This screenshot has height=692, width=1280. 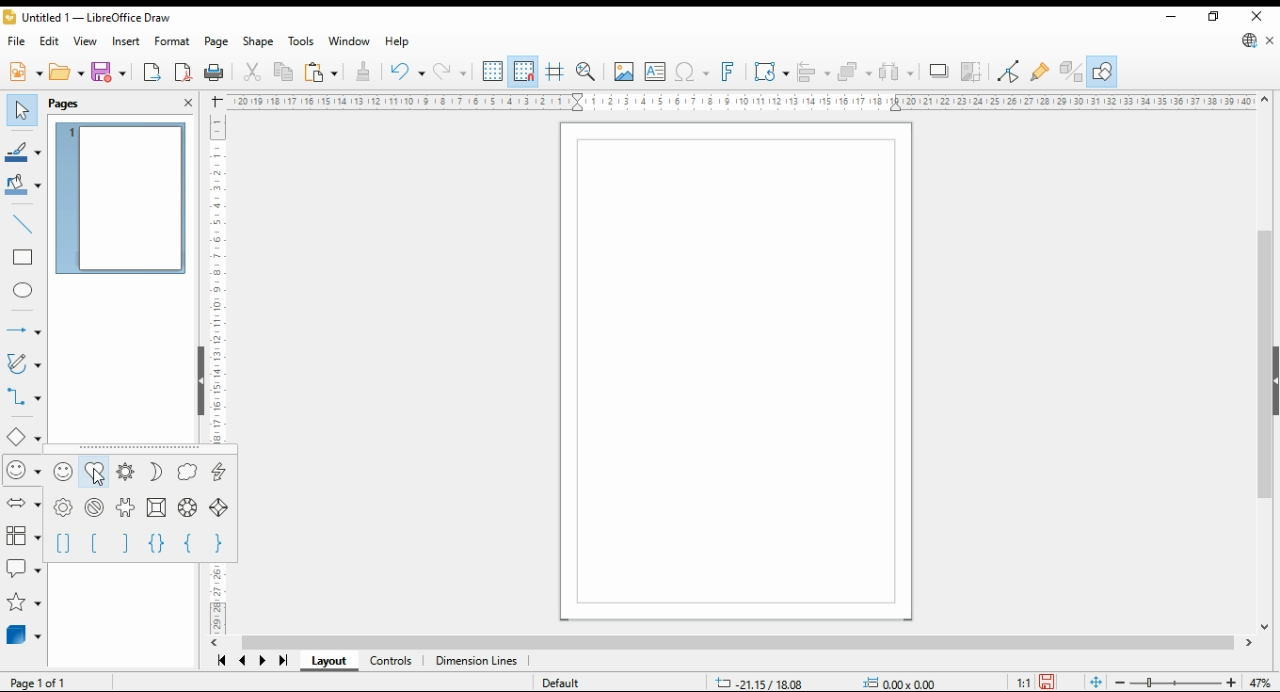 I want to click on right brace, so click(x=218, y=544).